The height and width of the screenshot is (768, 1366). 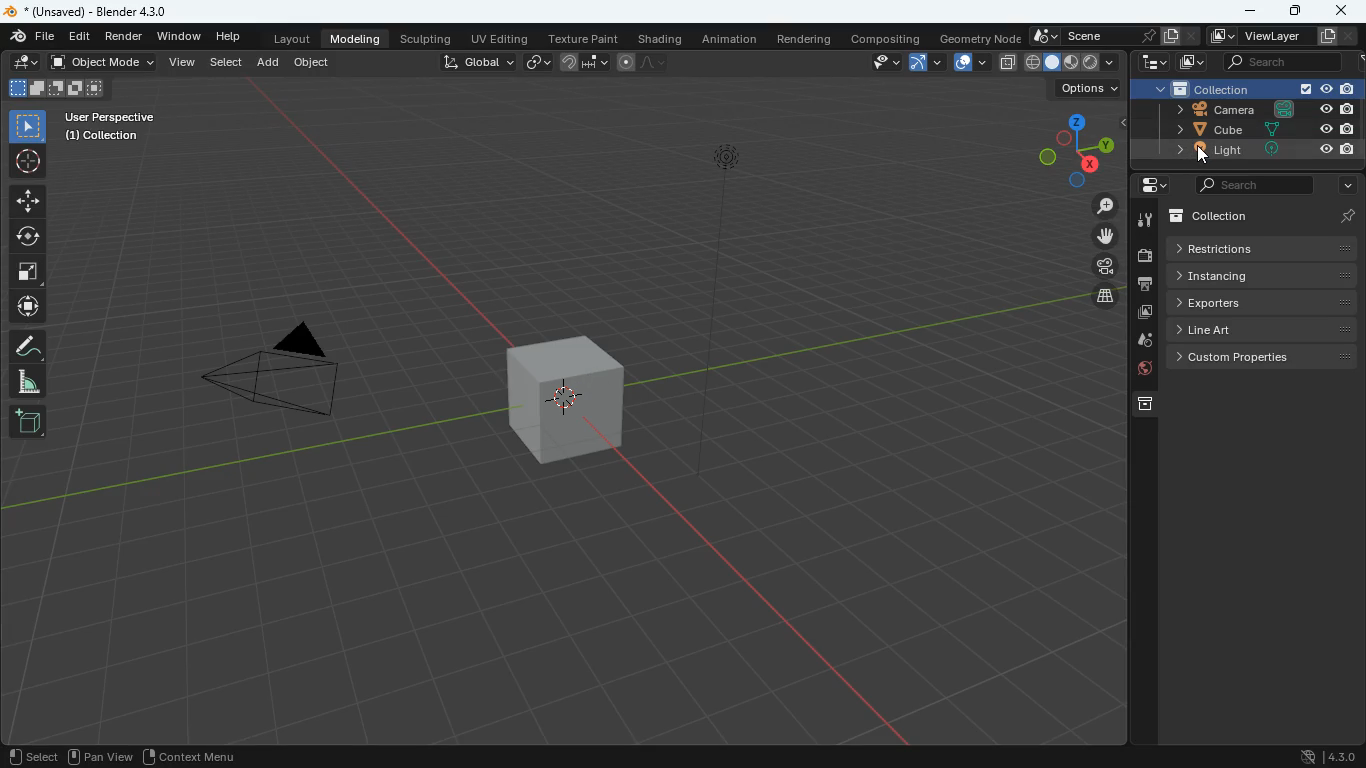 What do you see at coordinates (182, 64) in the screenshot?
I see `view` at bounding box center [182, 64].